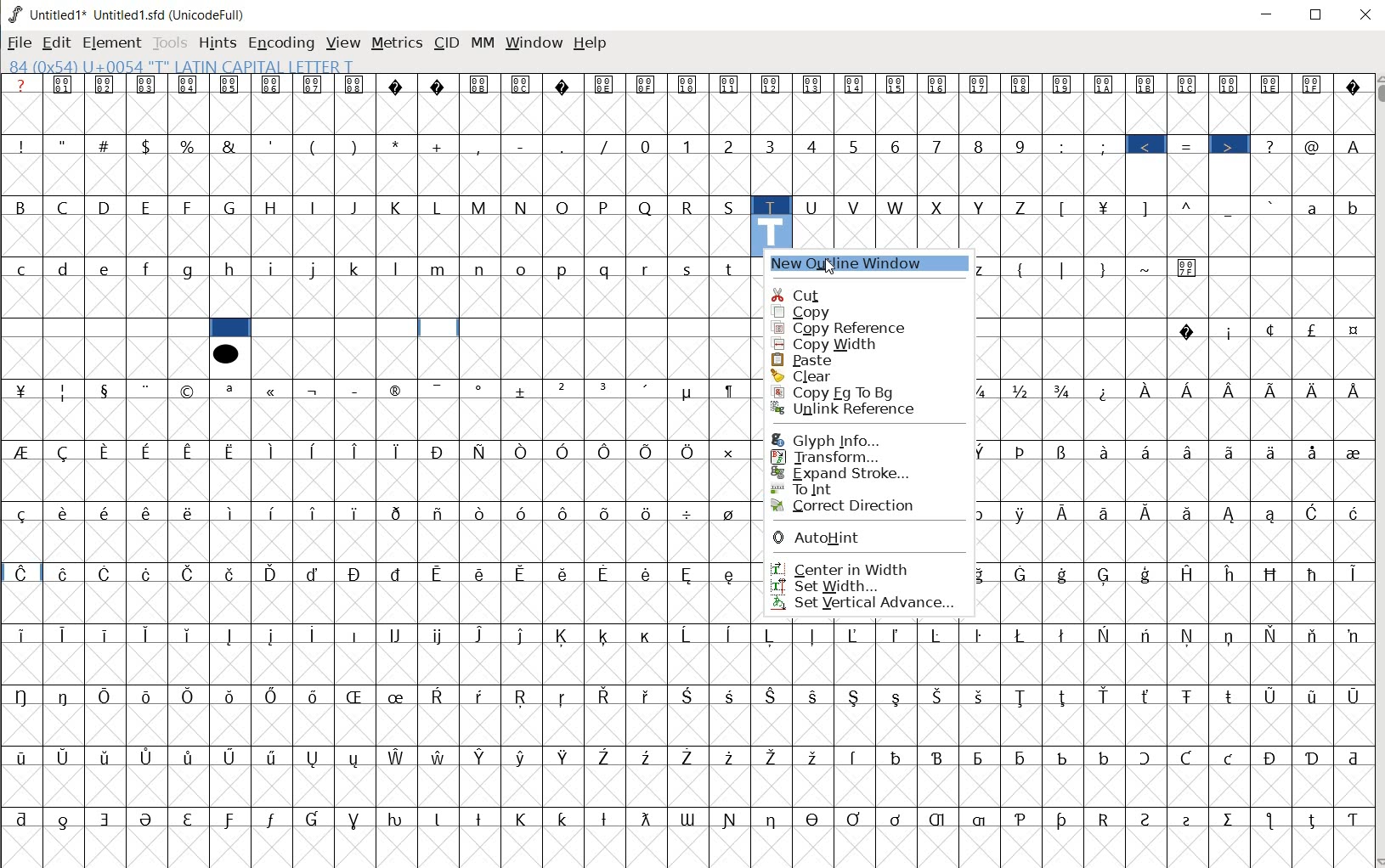  I want to click on Symbol, so click(775, 634).